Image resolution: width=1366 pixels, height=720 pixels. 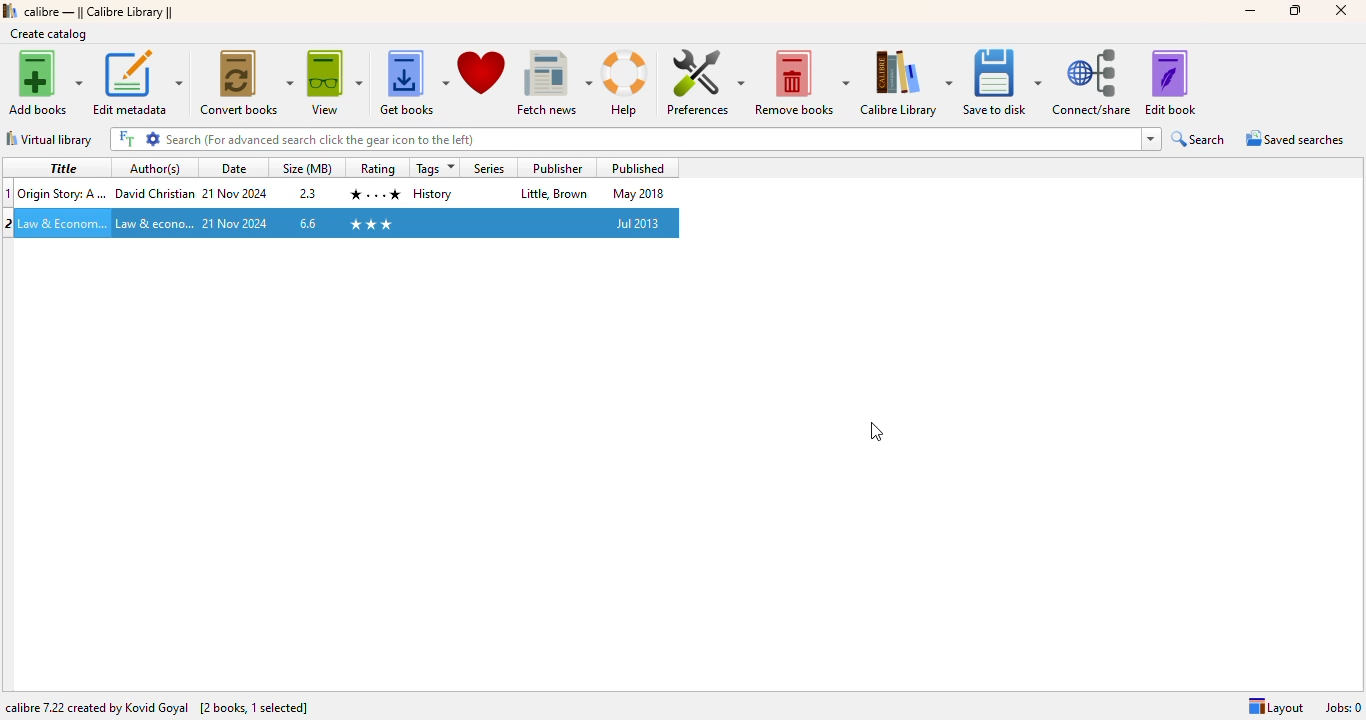 What do you see at coordinates (702, 83) in the screenshot?
I see `preferences` at bounding box center [702, 83].